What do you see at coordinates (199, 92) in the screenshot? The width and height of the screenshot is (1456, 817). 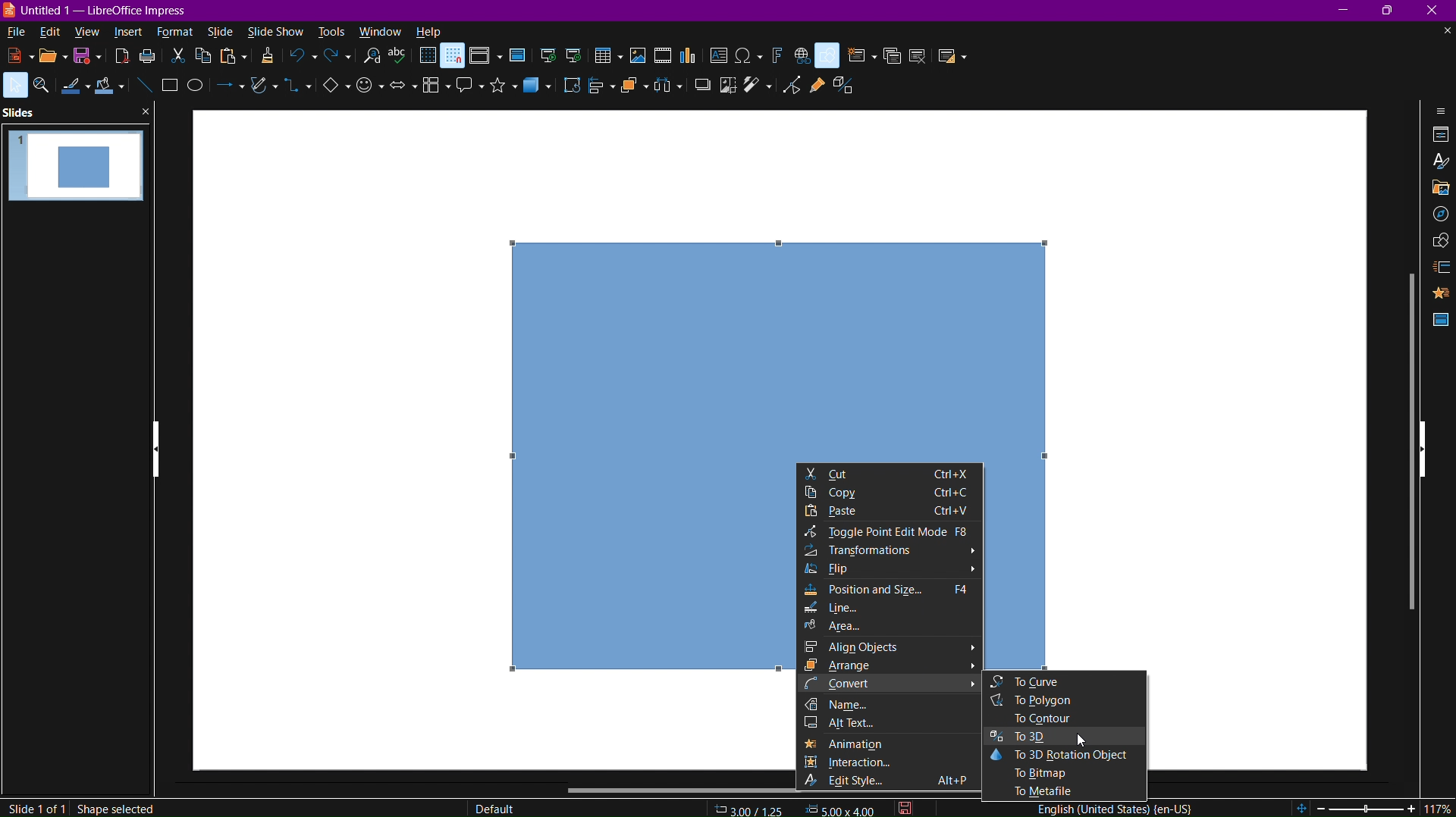 I see `Ellipse` at bounding box center [199, 92].